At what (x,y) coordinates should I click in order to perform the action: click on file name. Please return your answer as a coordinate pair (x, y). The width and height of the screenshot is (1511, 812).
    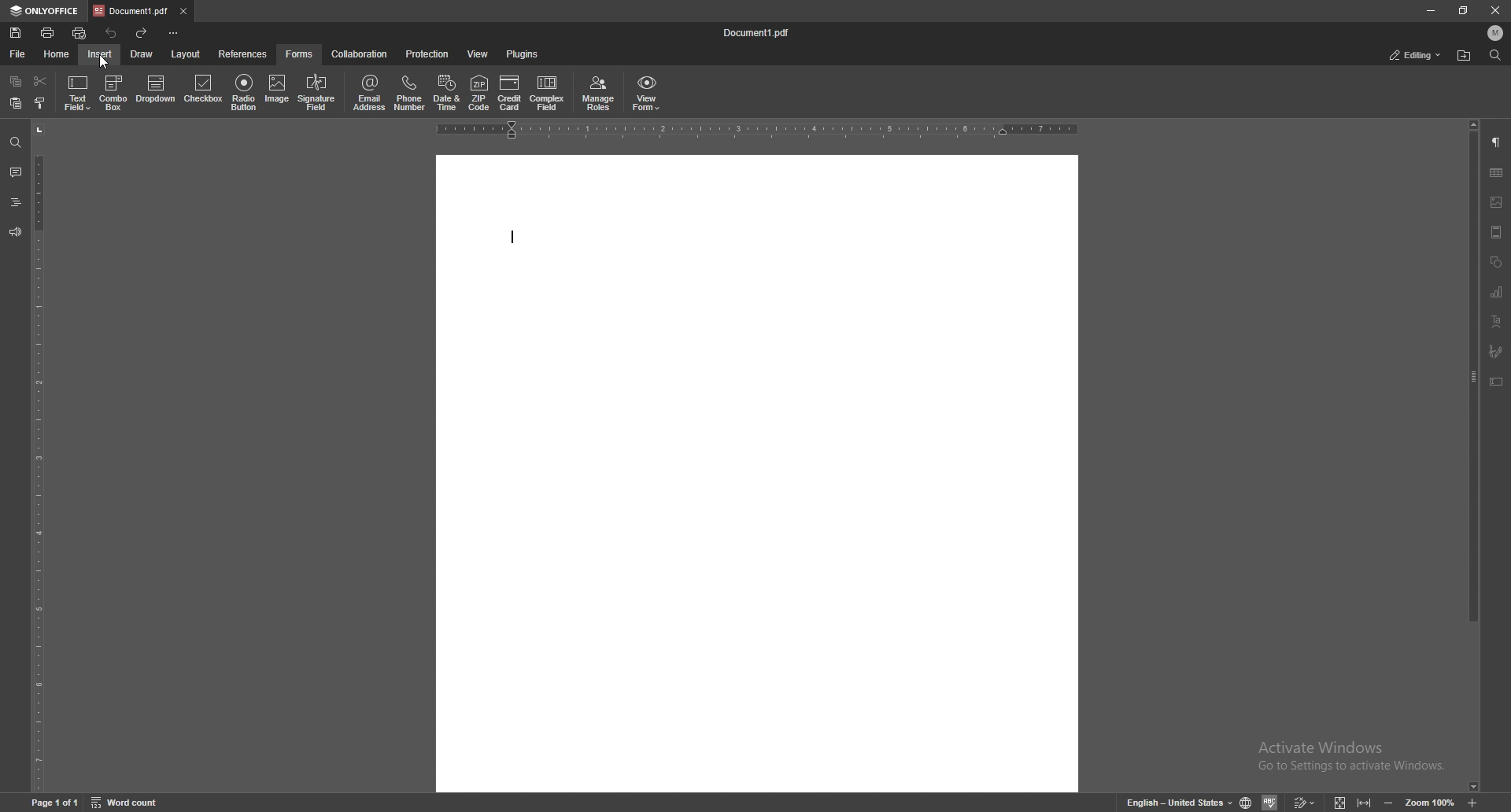
    Looking at the image, I should click on (759, 34).